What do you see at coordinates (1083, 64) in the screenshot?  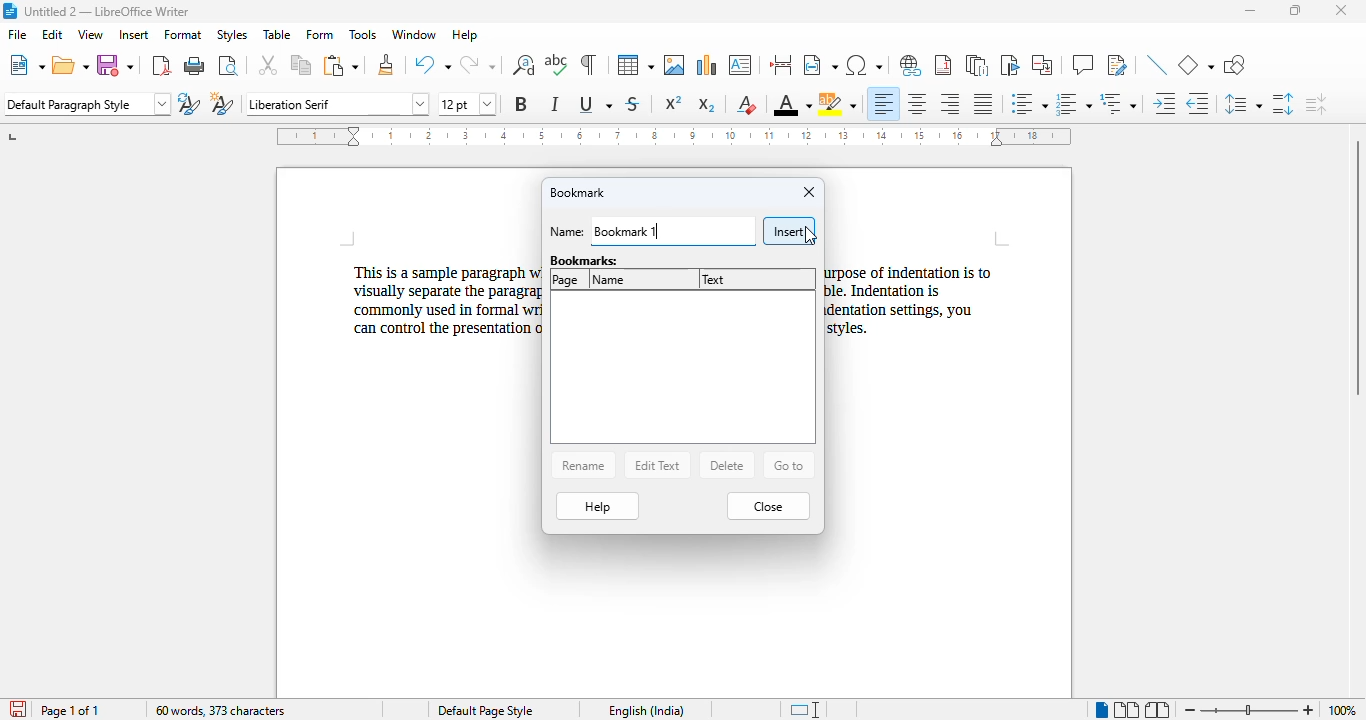 I see `insert comment` at bounding box center [1083, 64].